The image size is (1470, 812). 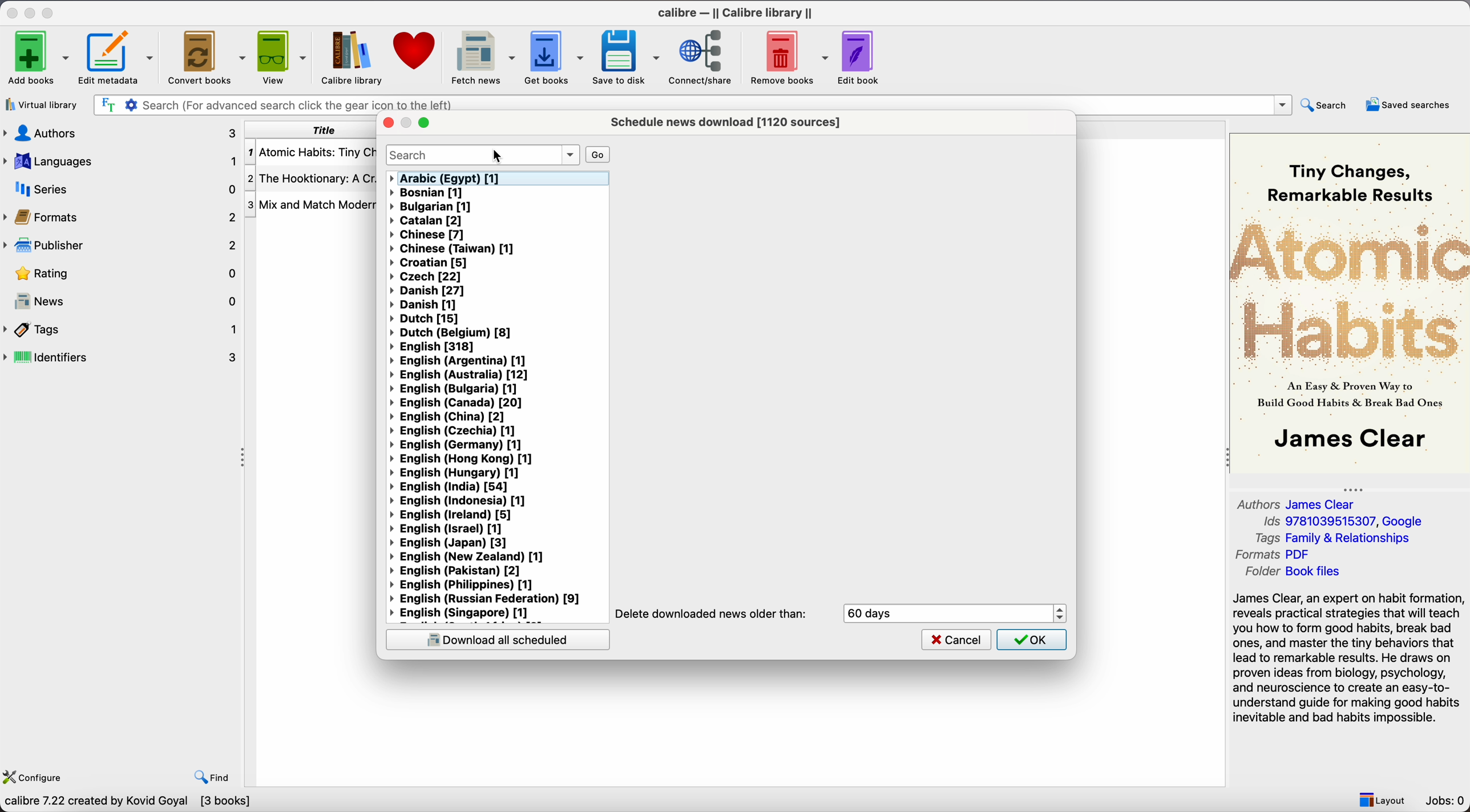 I want to click on title, so click(x=309, y=130).